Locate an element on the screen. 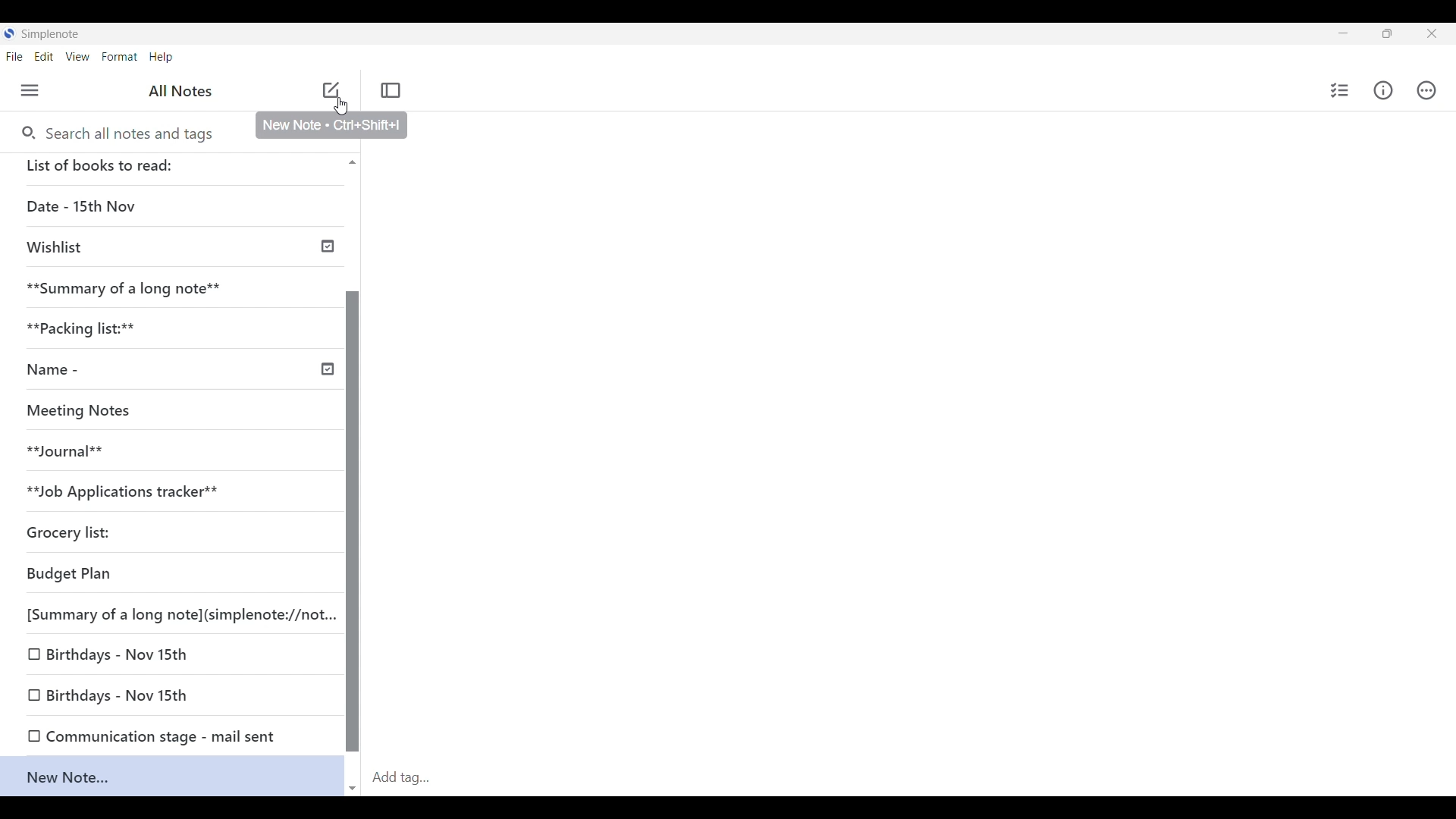  restore down is located at coordinates (1400, 36).